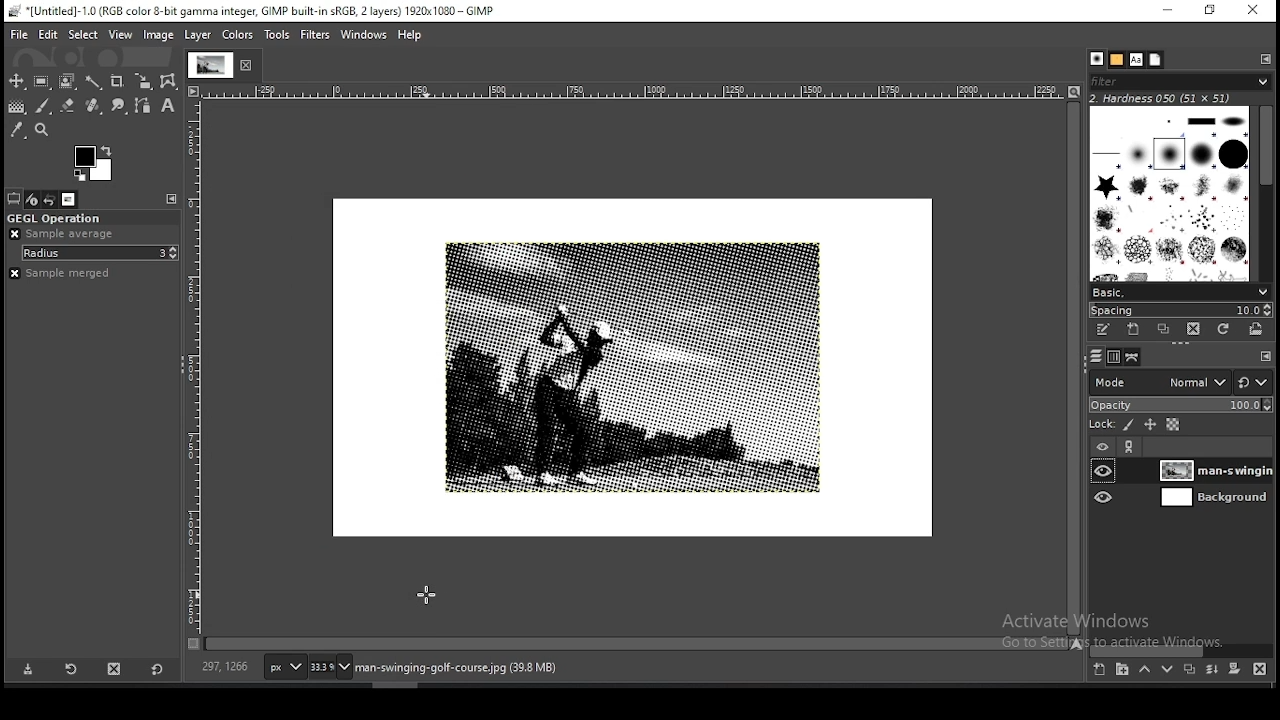  Describe the element at coordinates (268, 11) in the screenshot. I see `*[Untitled]-1.0 (RGB color 8-bit gamma integer, GIMP built-in sRGB, 2 layers) 1920x1080 - GIMP` at that location.